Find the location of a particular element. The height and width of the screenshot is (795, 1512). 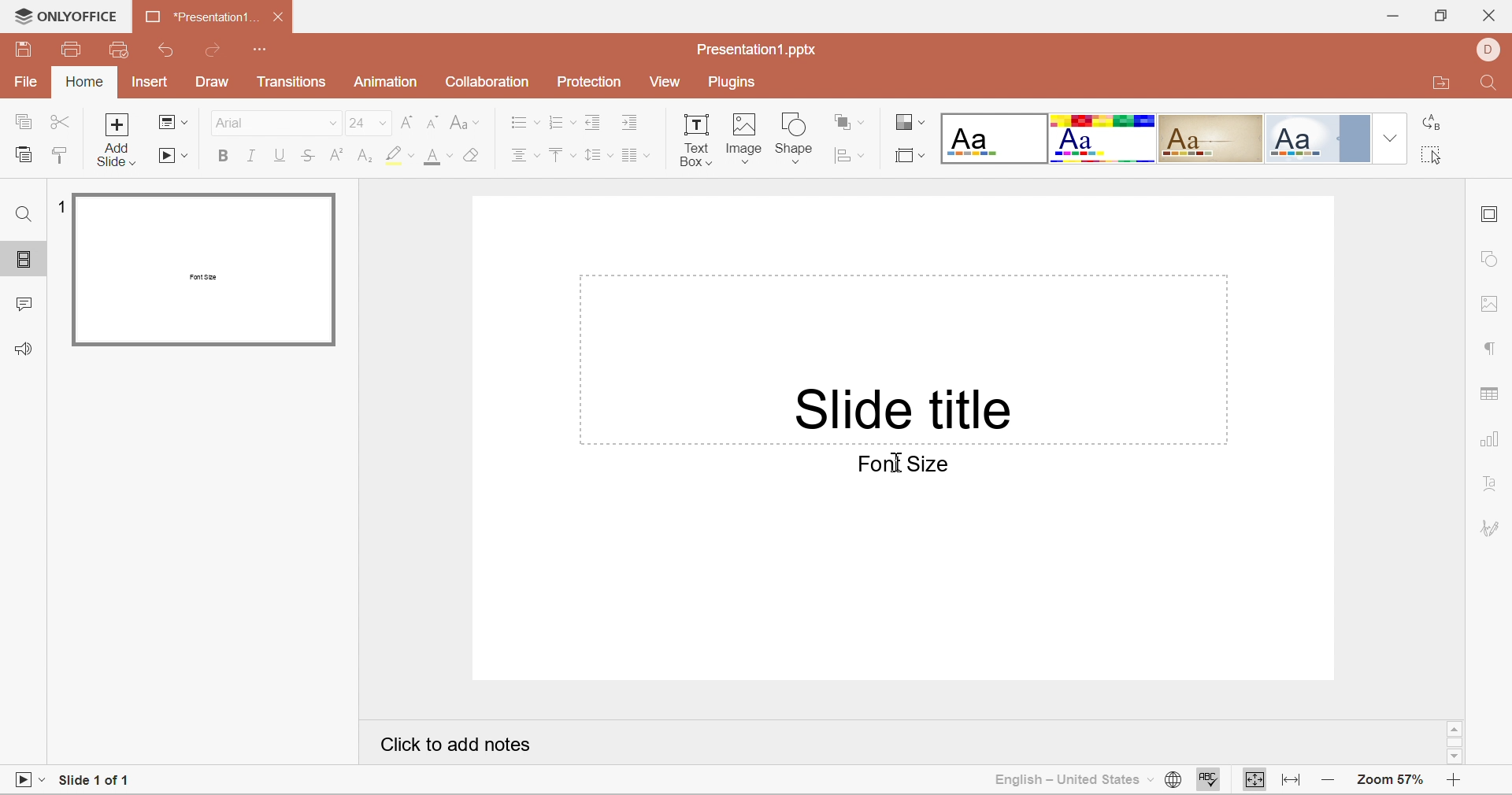

Close is located at coordinates (1489, 17).